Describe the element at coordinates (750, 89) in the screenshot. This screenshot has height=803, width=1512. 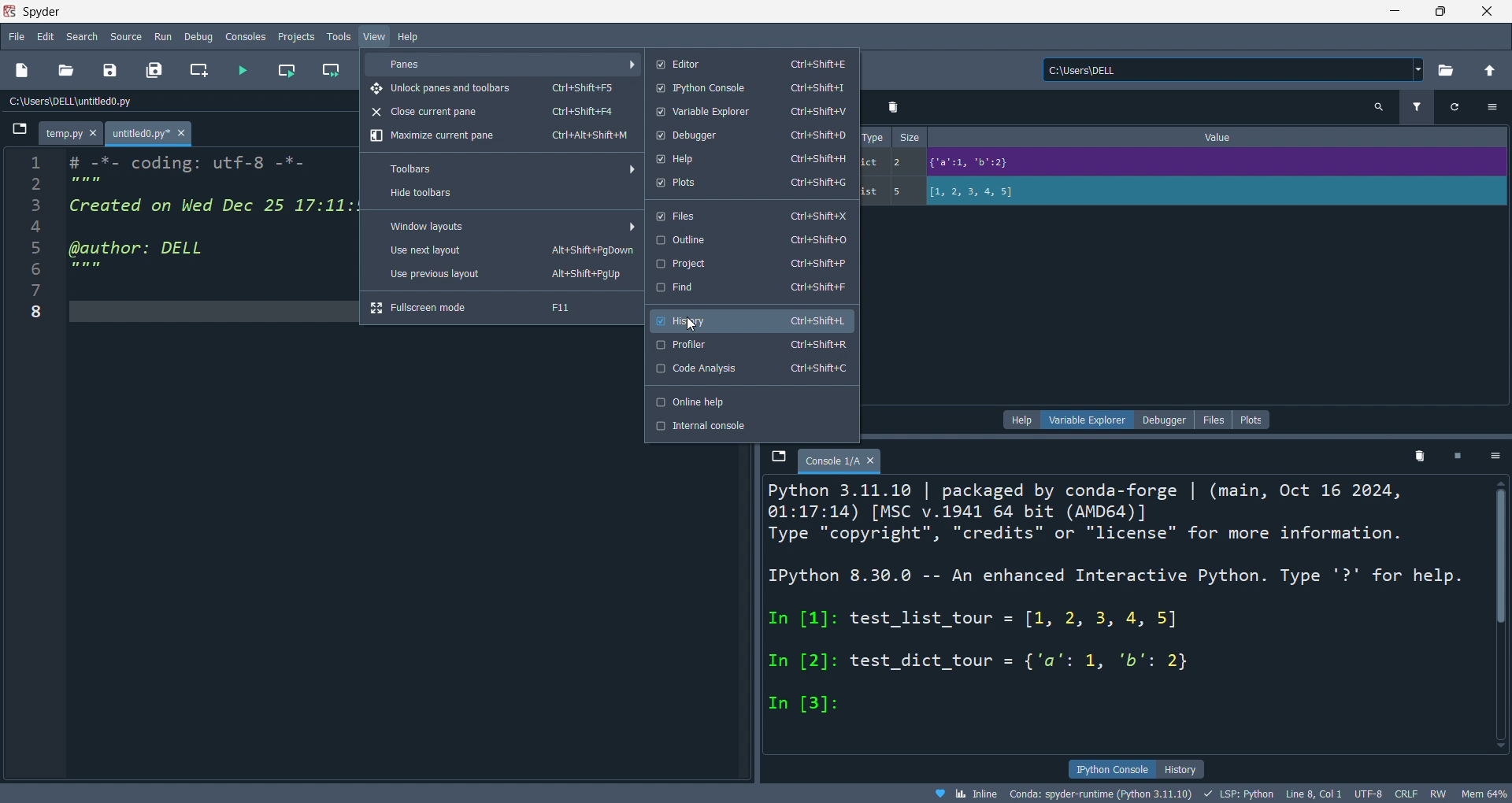
I see `ipython console` at that location.